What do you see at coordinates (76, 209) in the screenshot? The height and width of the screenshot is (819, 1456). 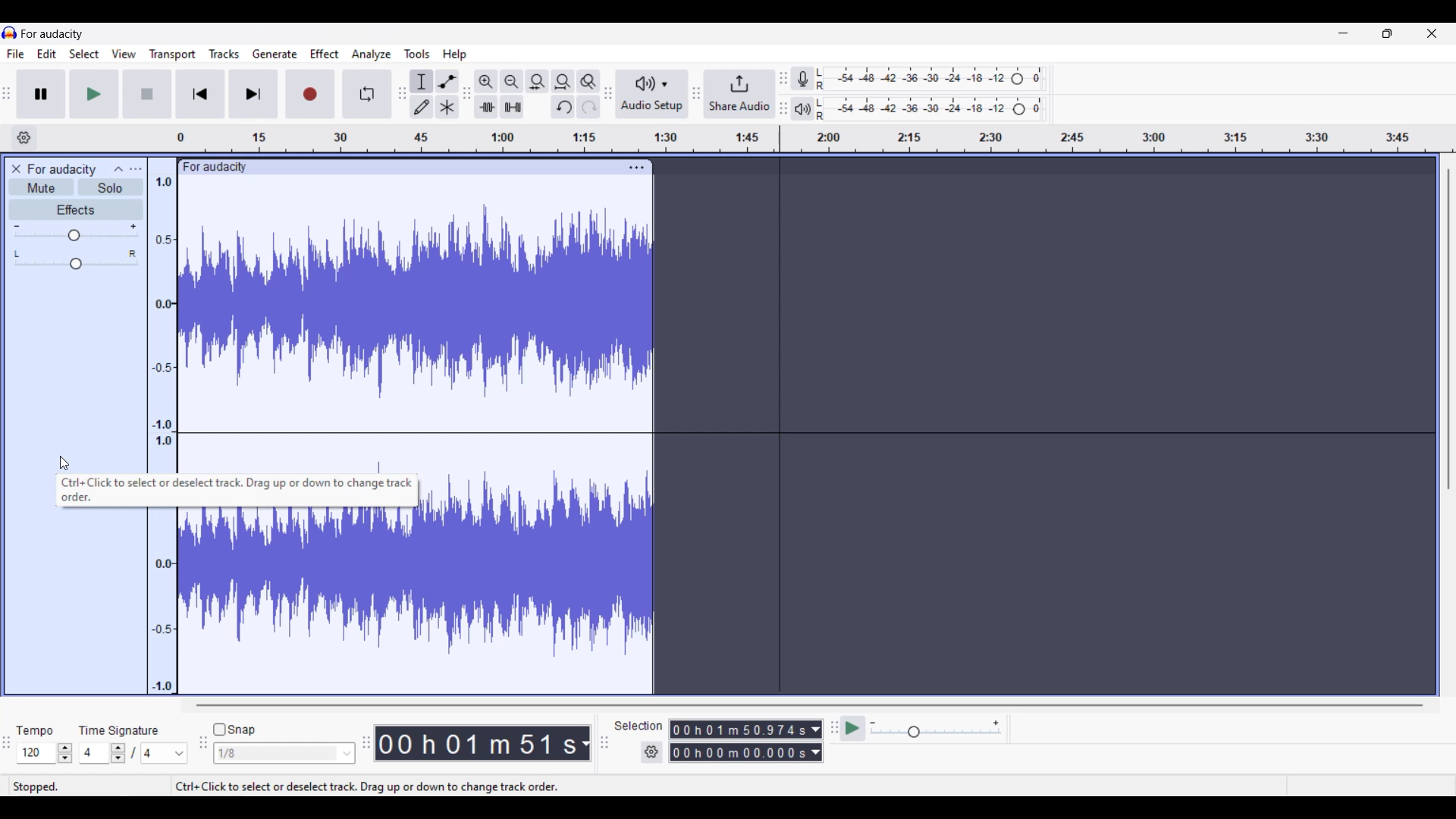 I see `Effects` at bounding box center [76, 209].